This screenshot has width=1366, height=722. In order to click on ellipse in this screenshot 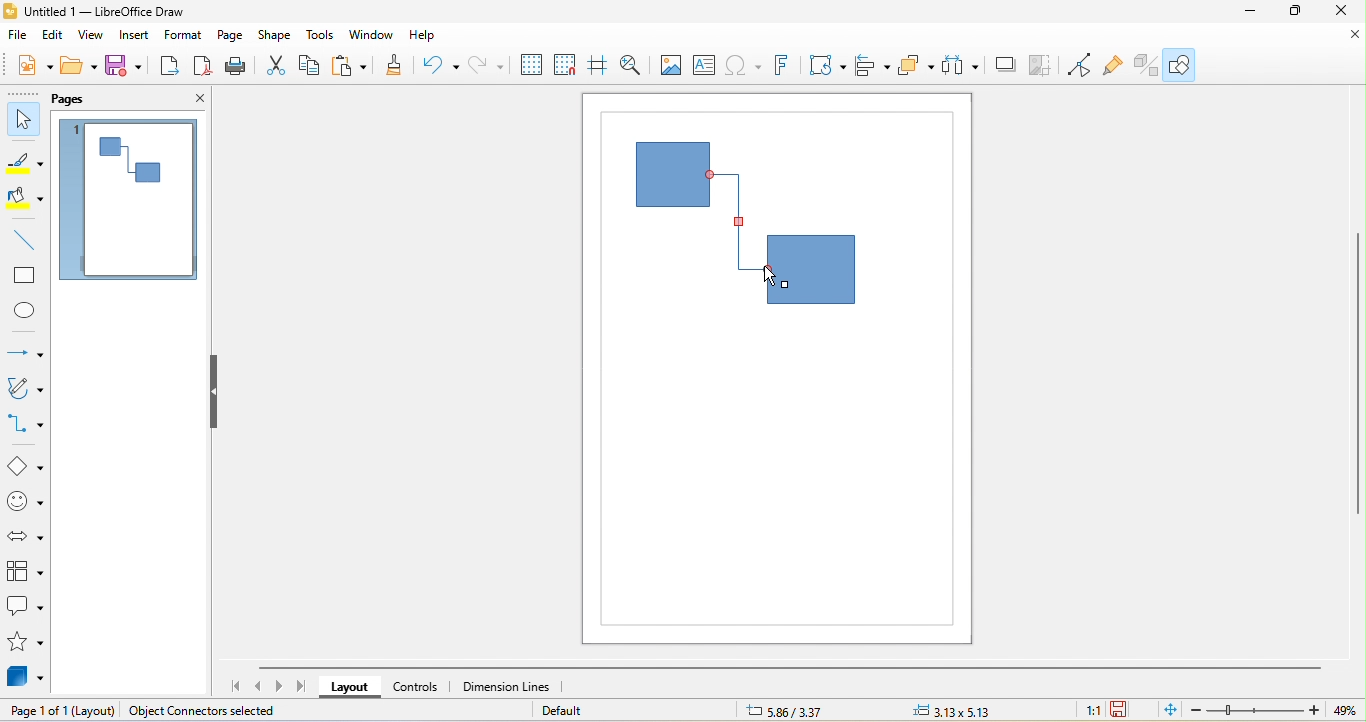, I will do `click(24, 311)`.